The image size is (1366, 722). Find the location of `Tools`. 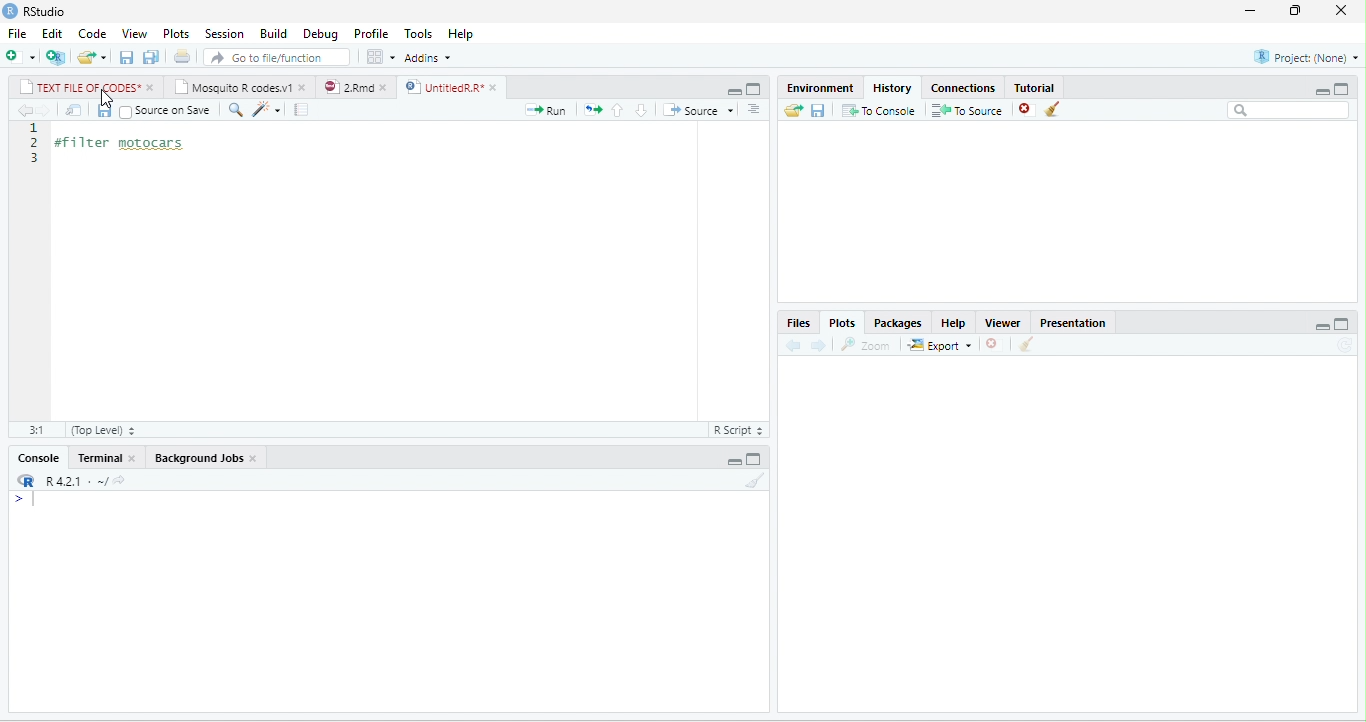

Tools is located at coordinates (418, 34).